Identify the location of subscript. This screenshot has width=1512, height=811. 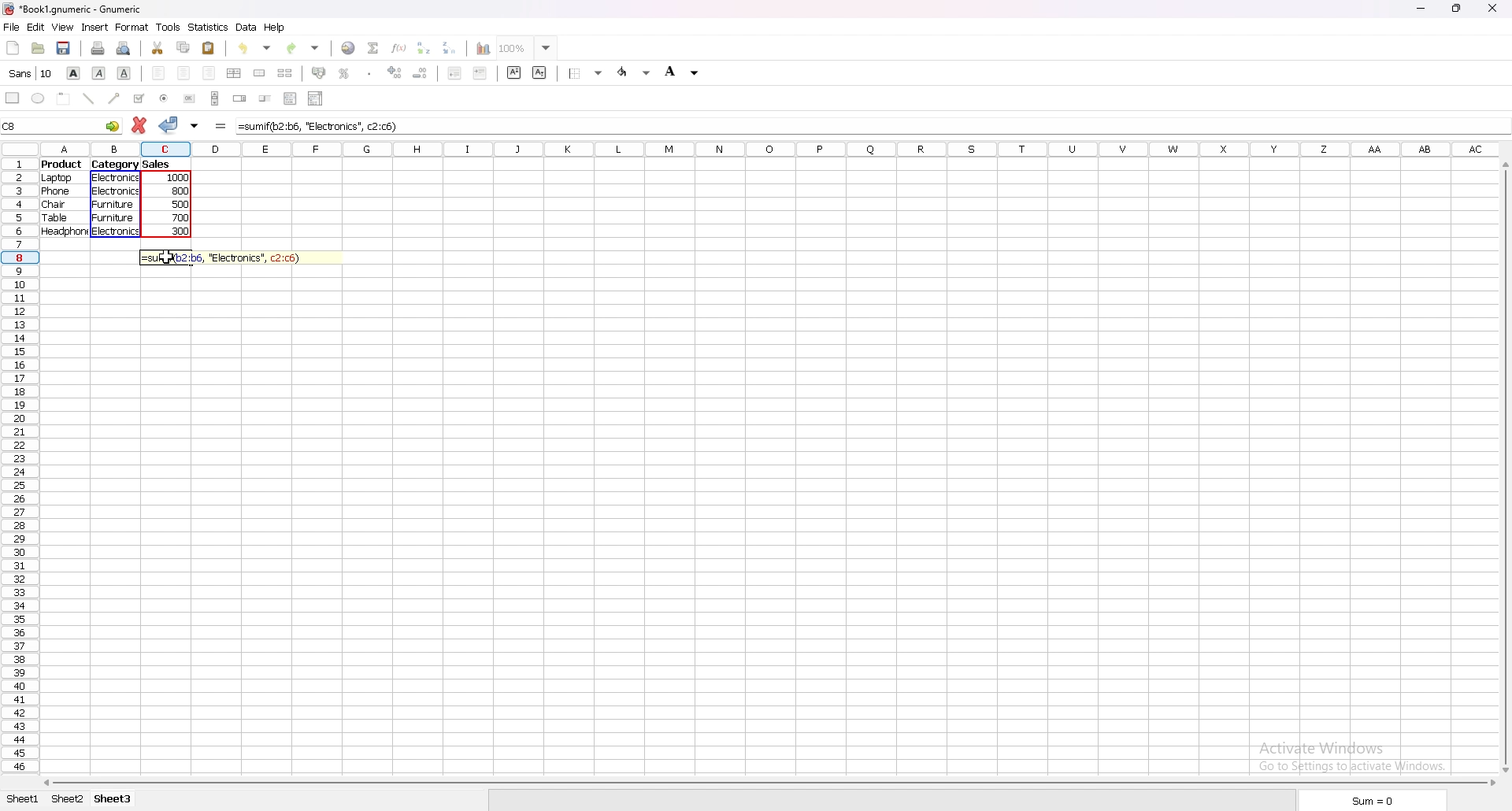
(539, 73).